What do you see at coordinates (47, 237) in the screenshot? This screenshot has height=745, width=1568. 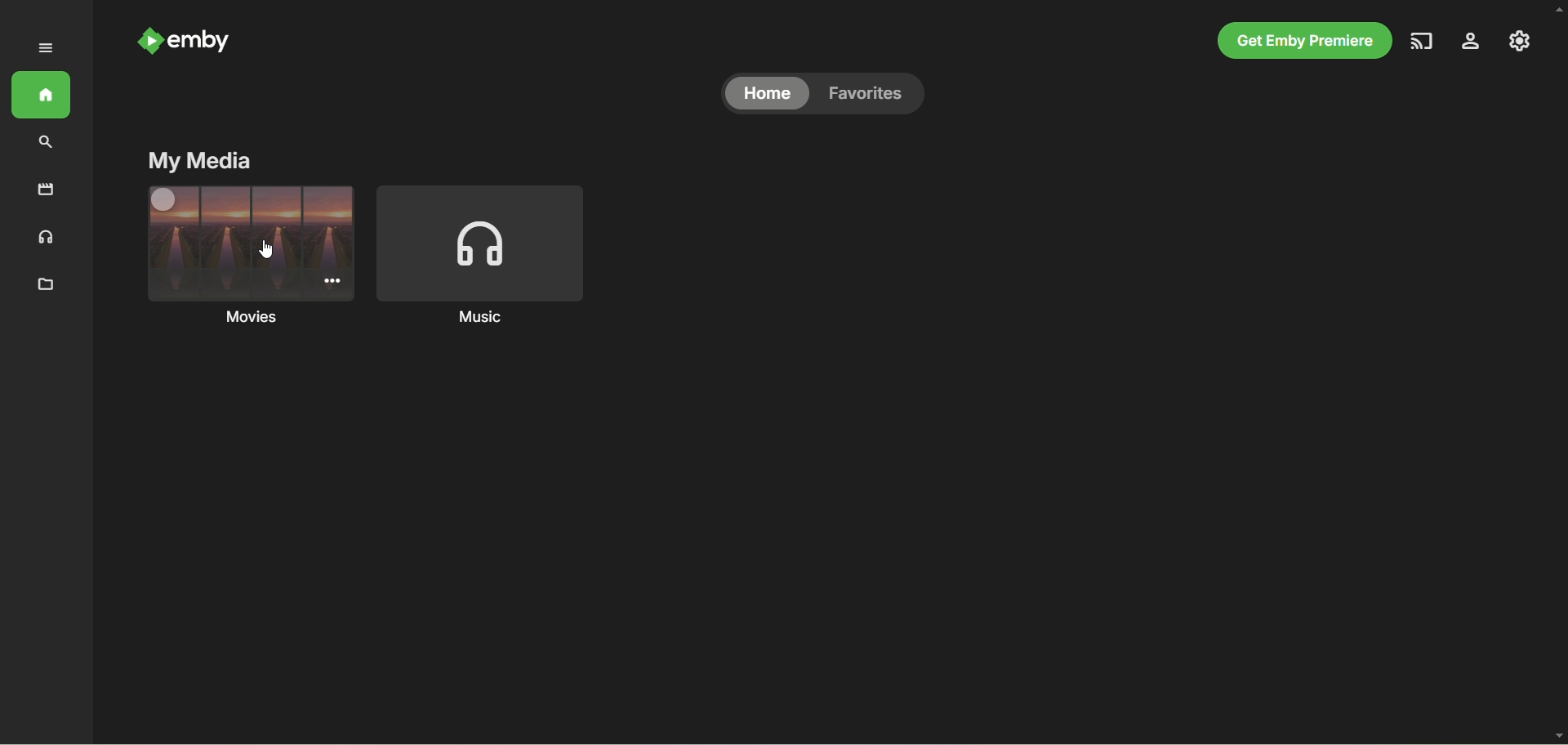 I see `music` at bounding box center [47, 237].